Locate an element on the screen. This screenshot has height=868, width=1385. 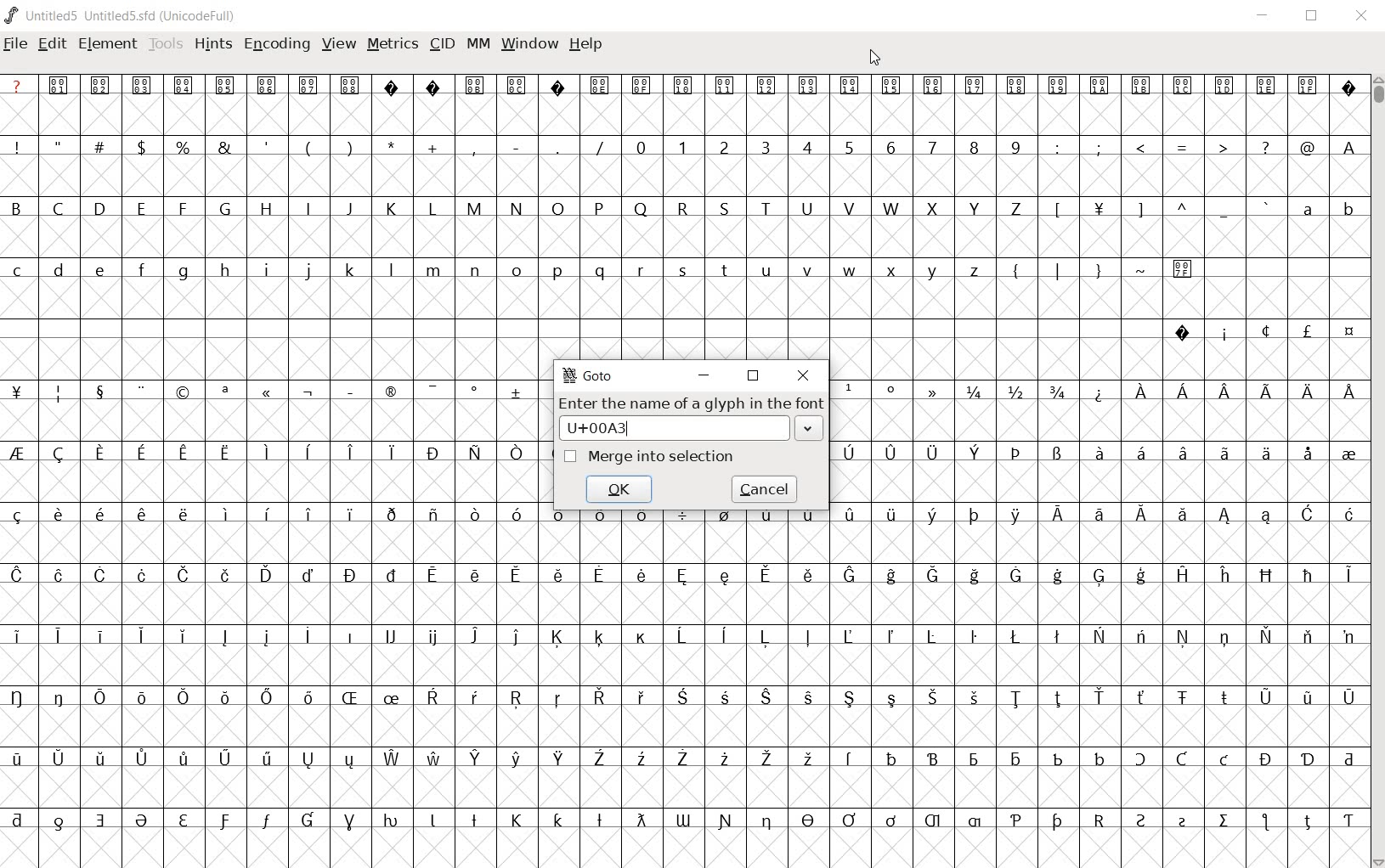
Symbol is located at coordinates (556, 85).